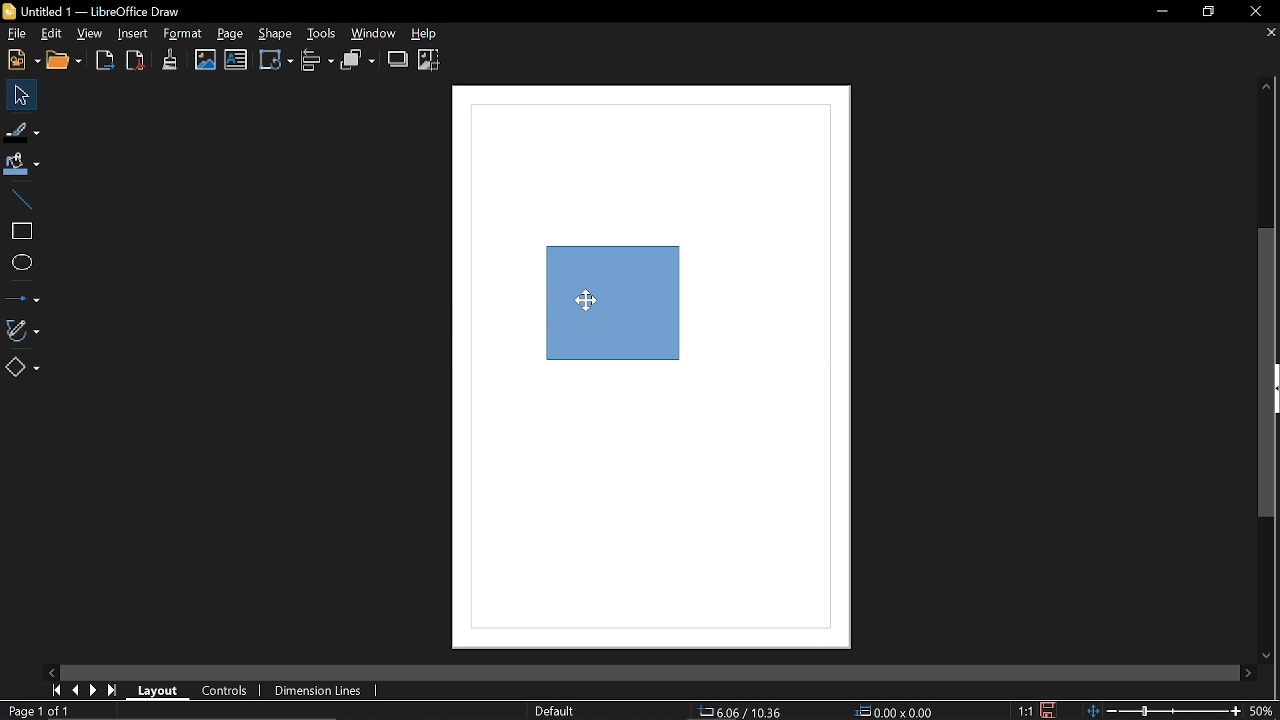 The image size is (1280, 720). Describe the element at coordinates (64, 61) in the screenshot. I see `Open` at that location.